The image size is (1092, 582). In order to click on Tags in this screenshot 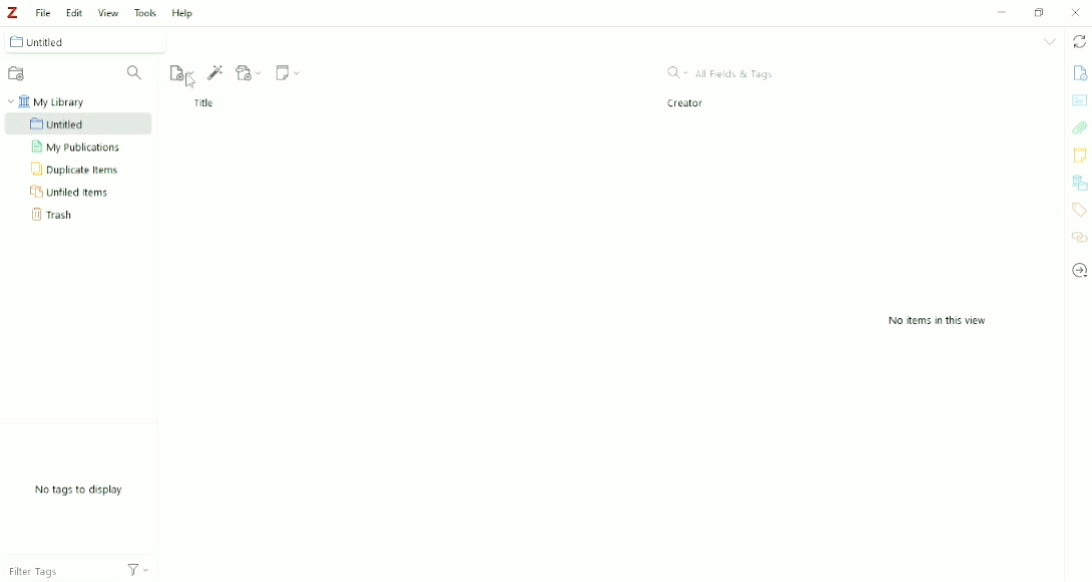, I will do `click(1080, 210)`.